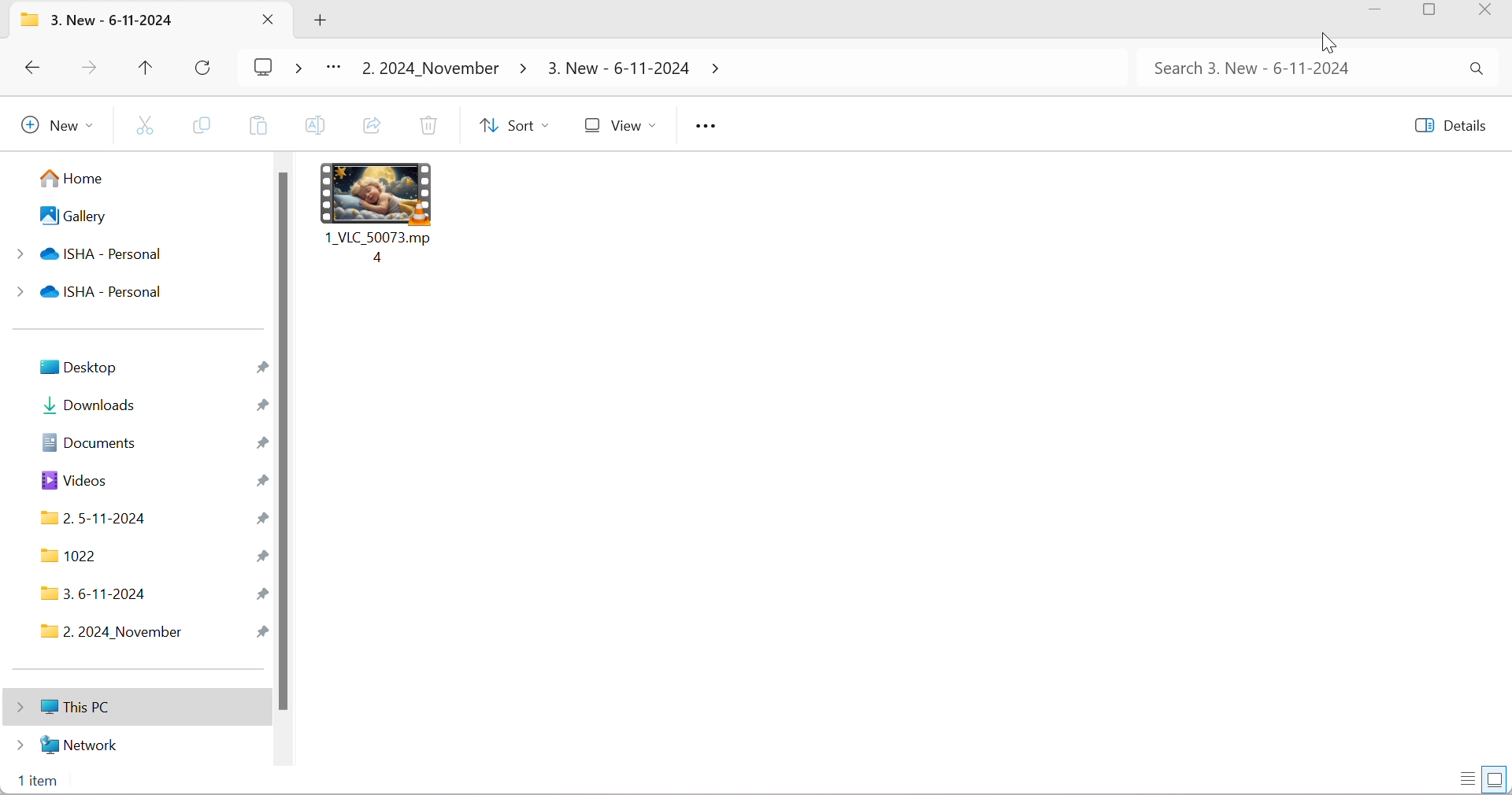 The image size is (1512, 795). Describe the element at coordinates (617, 126) in the screenshot. I see `View` at that location.